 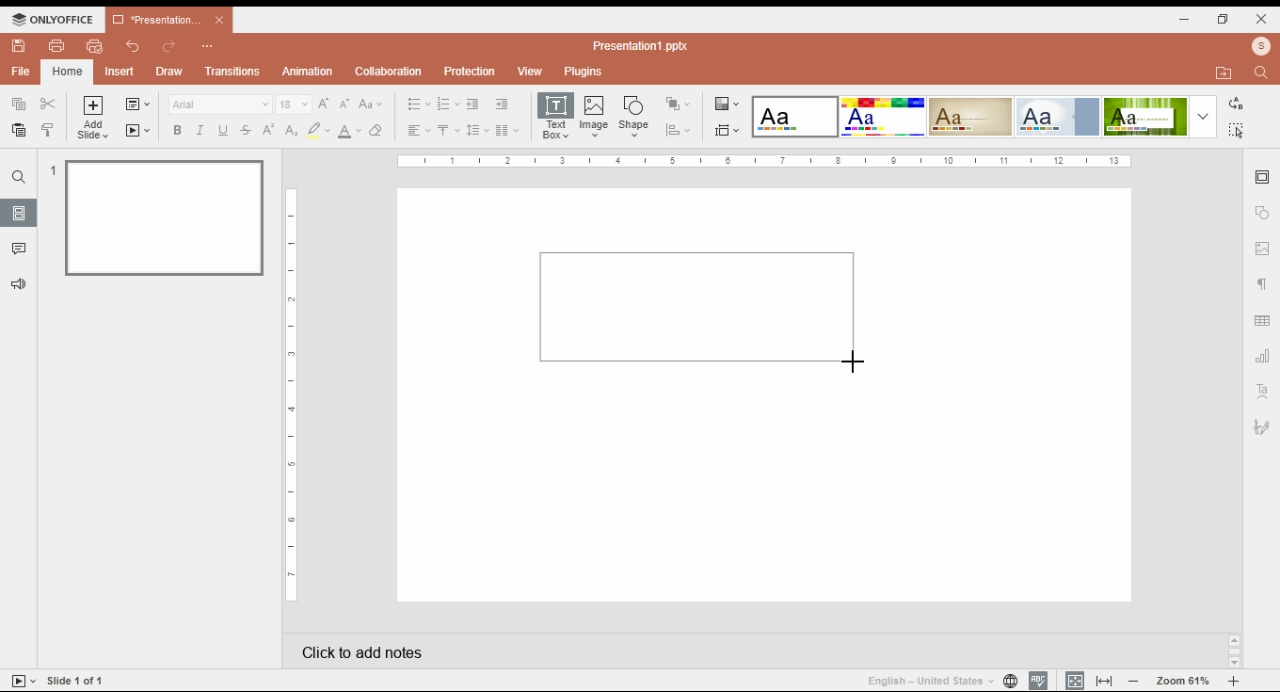 I want to click on zoom 61%, so click(x=1181, y=681).